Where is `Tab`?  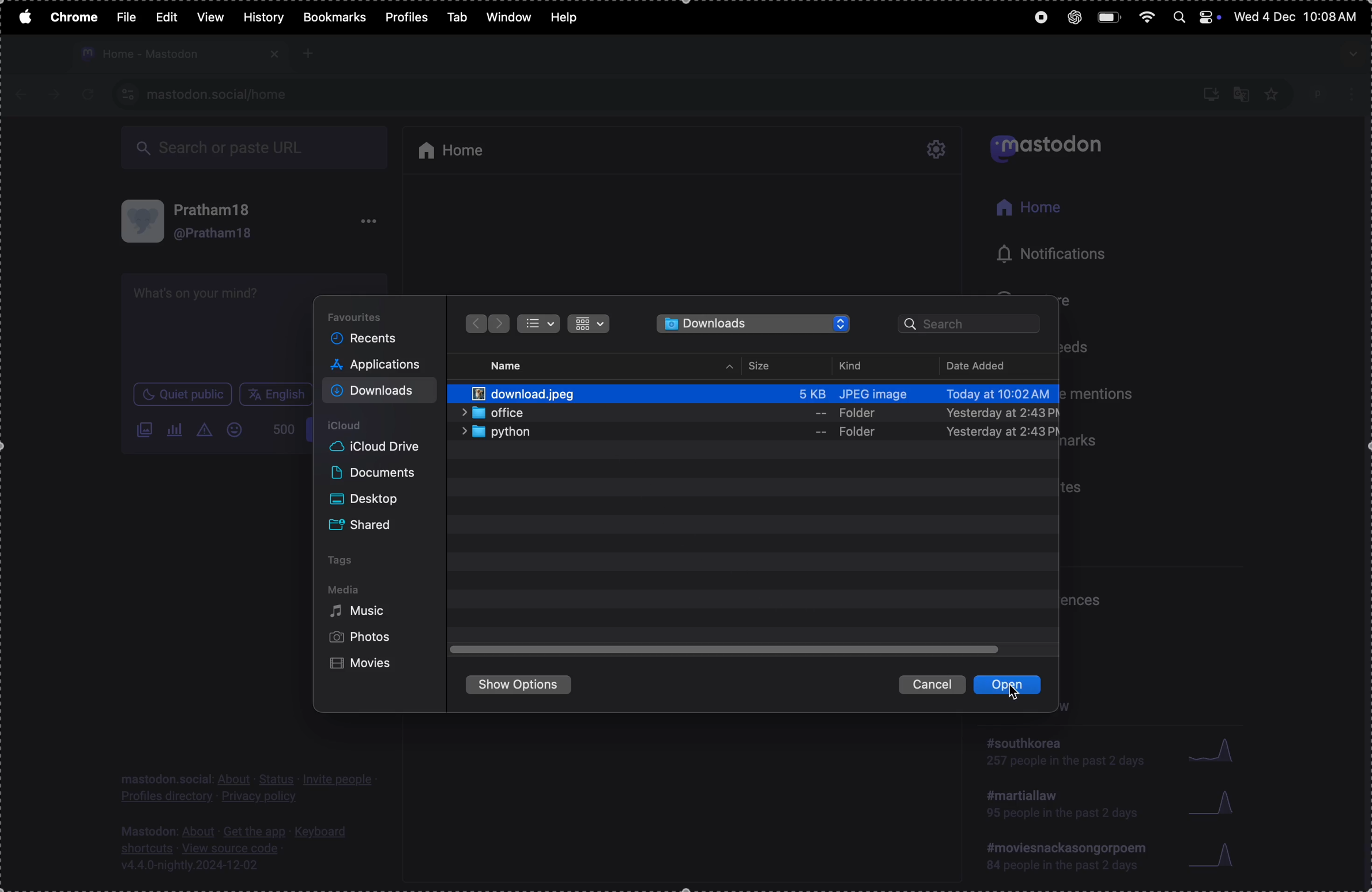
Tab is located at coordinates (457, 16).